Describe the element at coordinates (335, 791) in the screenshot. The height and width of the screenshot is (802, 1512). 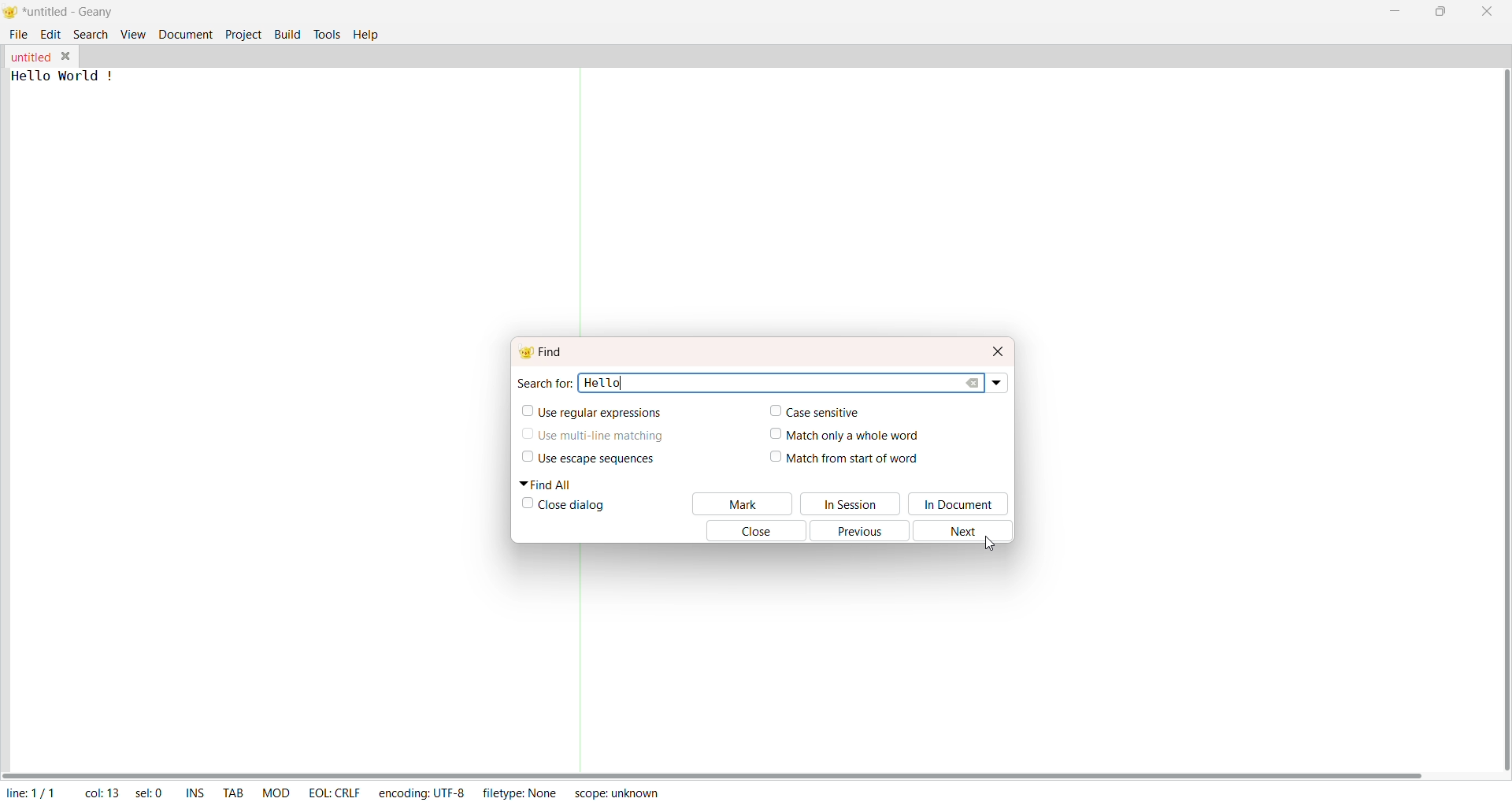
I see `EOL: CRLF` at that location.